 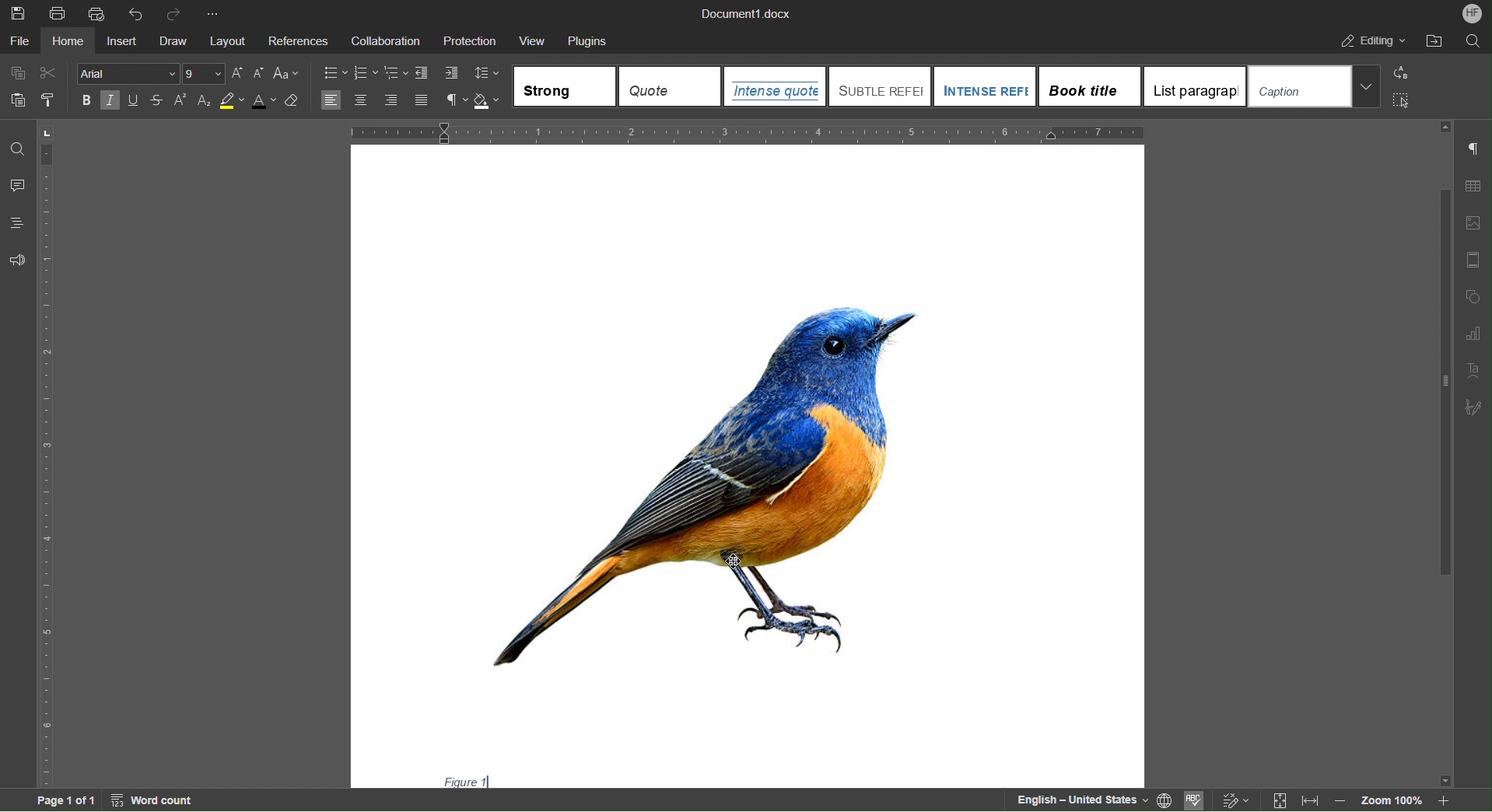 What do you see at coordinates (1372, 40) in the screenshot?
I see `Editing` at bounding box center [1372, 40].